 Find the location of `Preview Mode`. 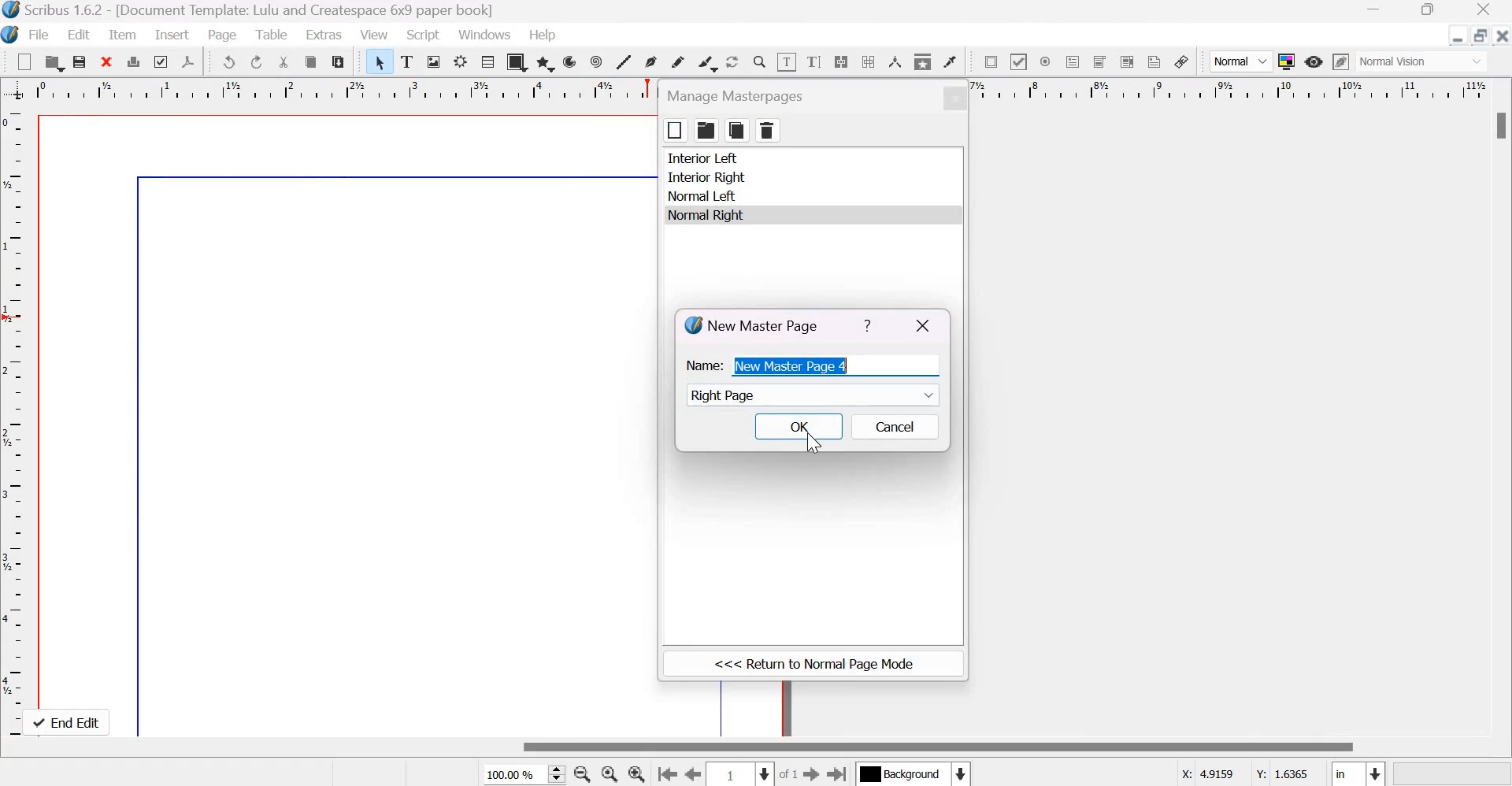

Preview Mode is located at coordinates (1314, 61).